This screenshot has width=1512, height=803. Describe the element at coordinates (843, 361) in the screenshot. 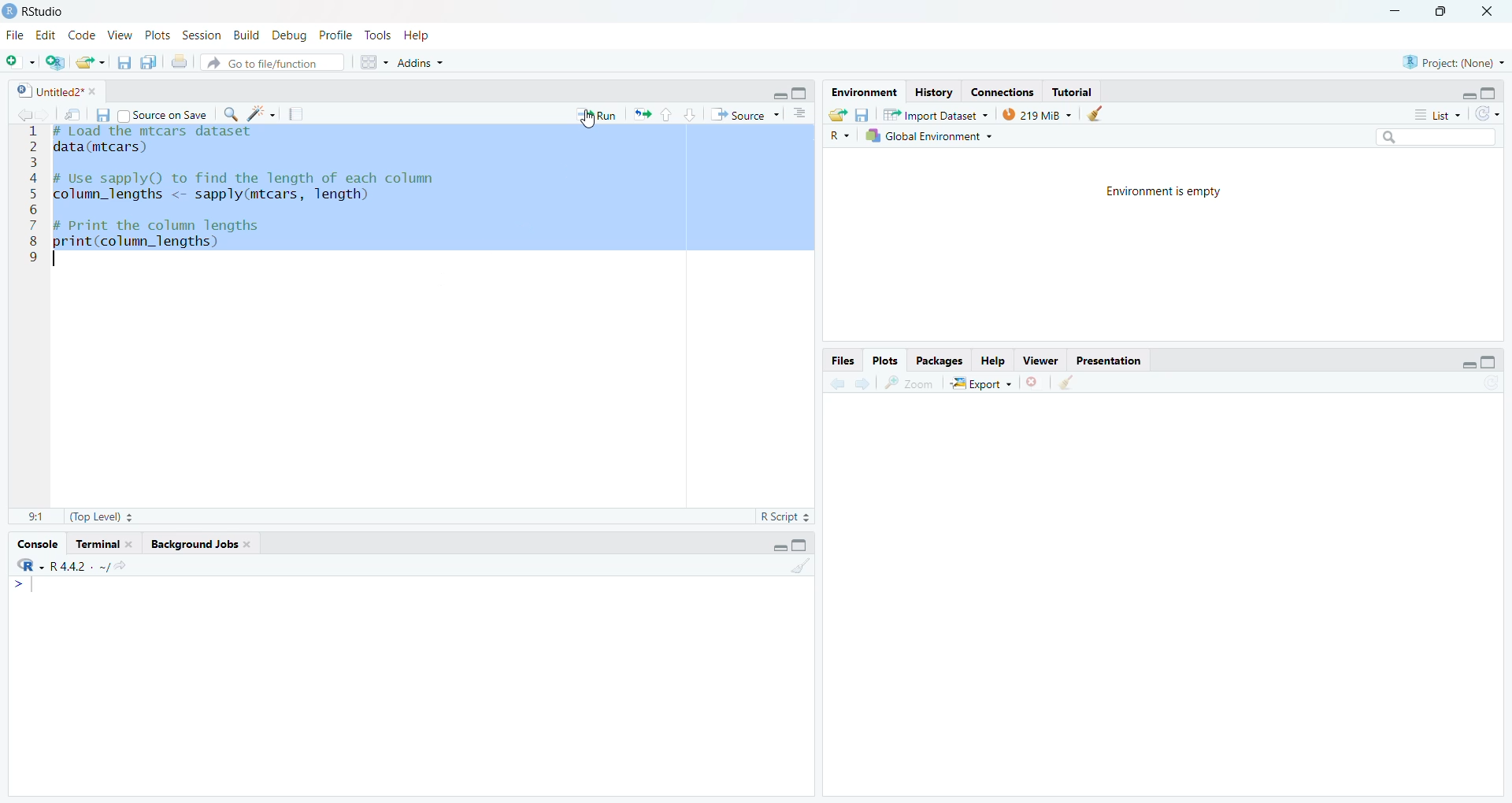

I see `Files` at that location.